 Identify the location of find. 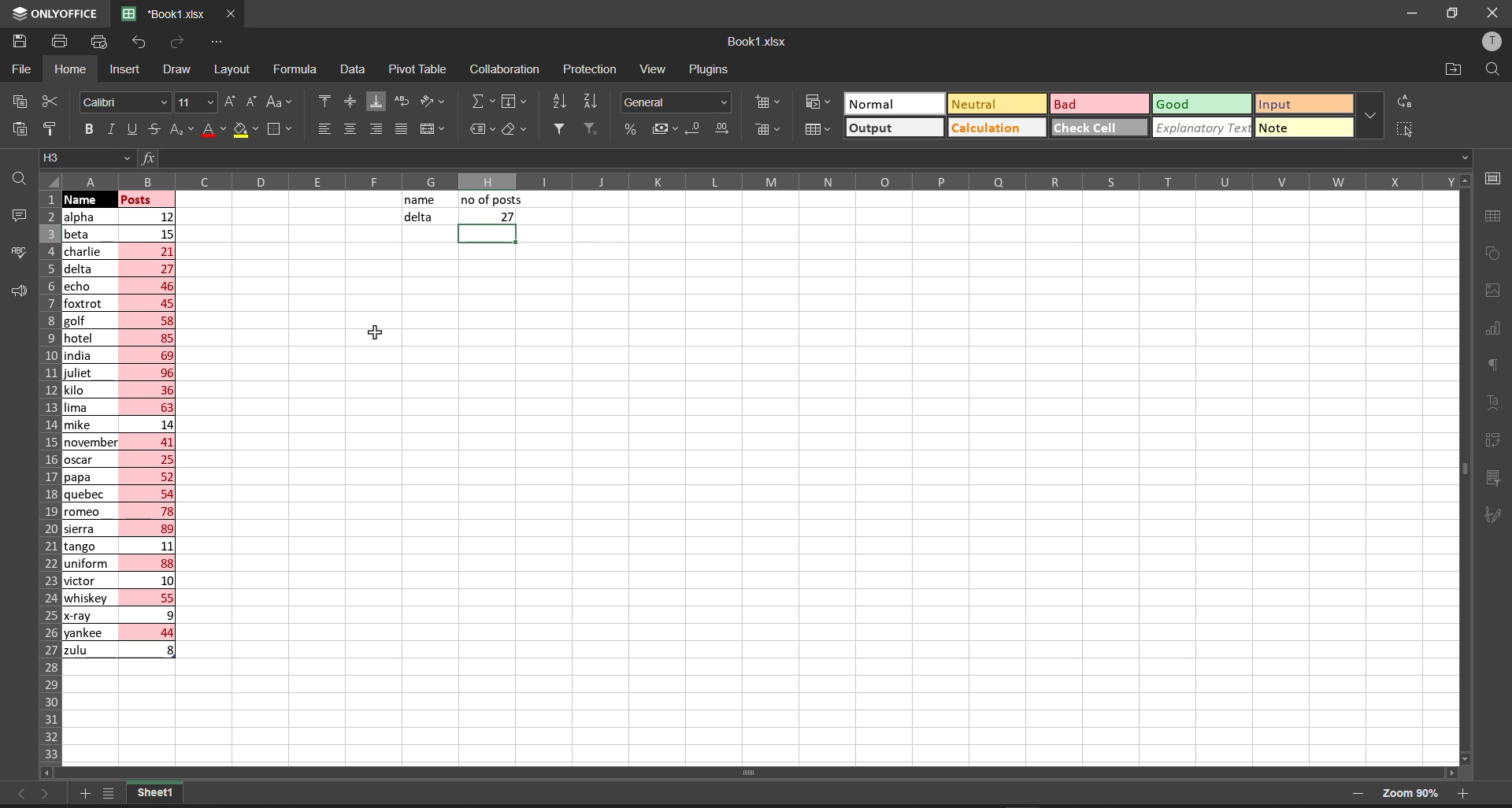
(1495, 69).